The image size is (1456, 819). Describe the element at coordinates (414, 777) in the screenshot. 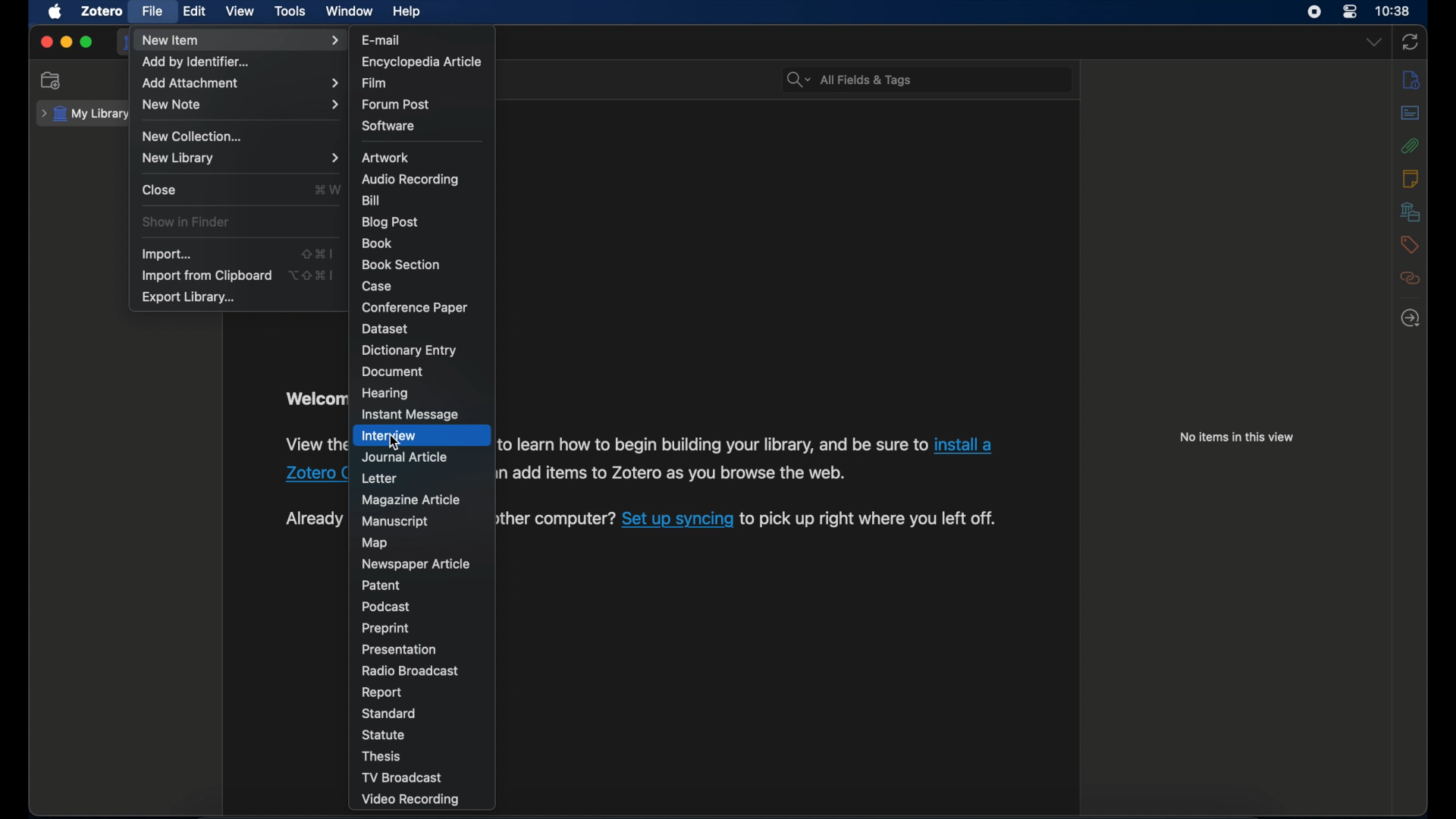

I see `tv broadcast` at that location.